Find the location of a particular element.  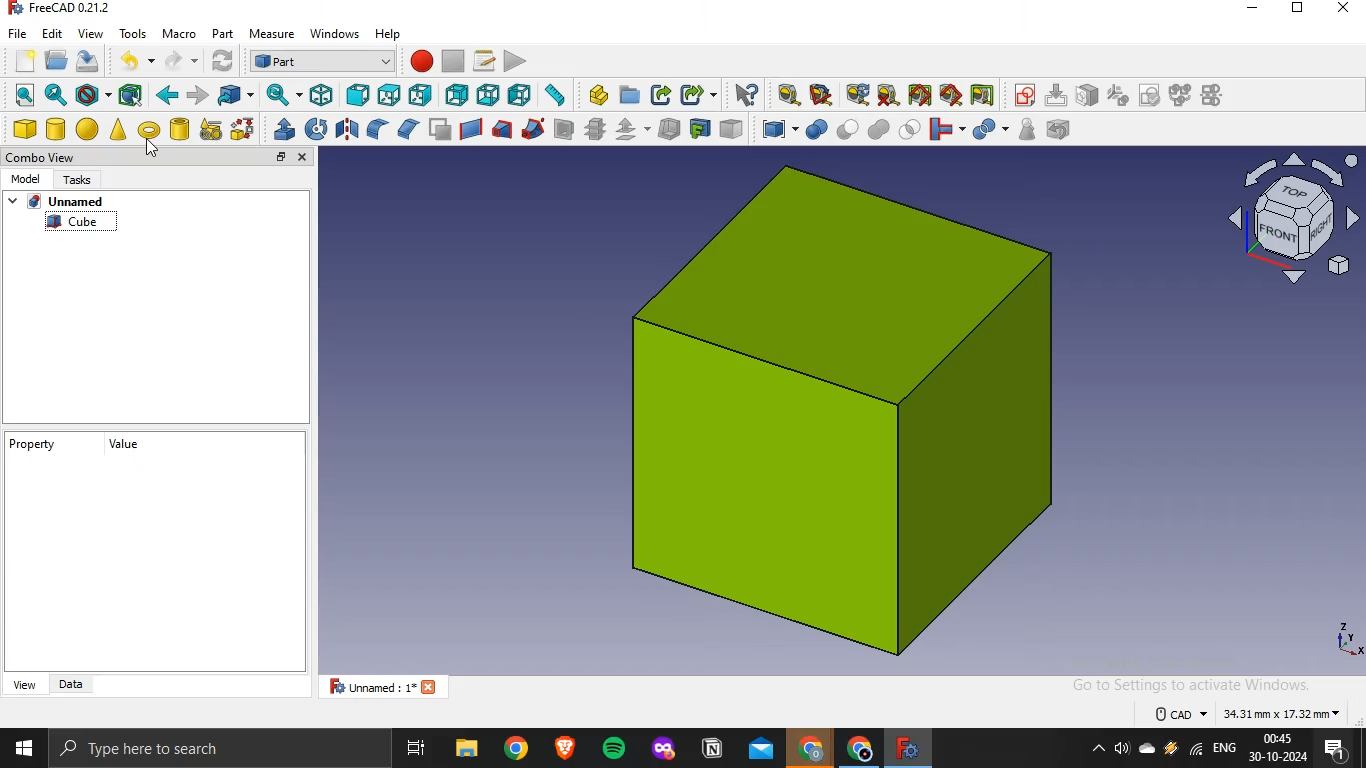

open is located at coordinates (55, 61).